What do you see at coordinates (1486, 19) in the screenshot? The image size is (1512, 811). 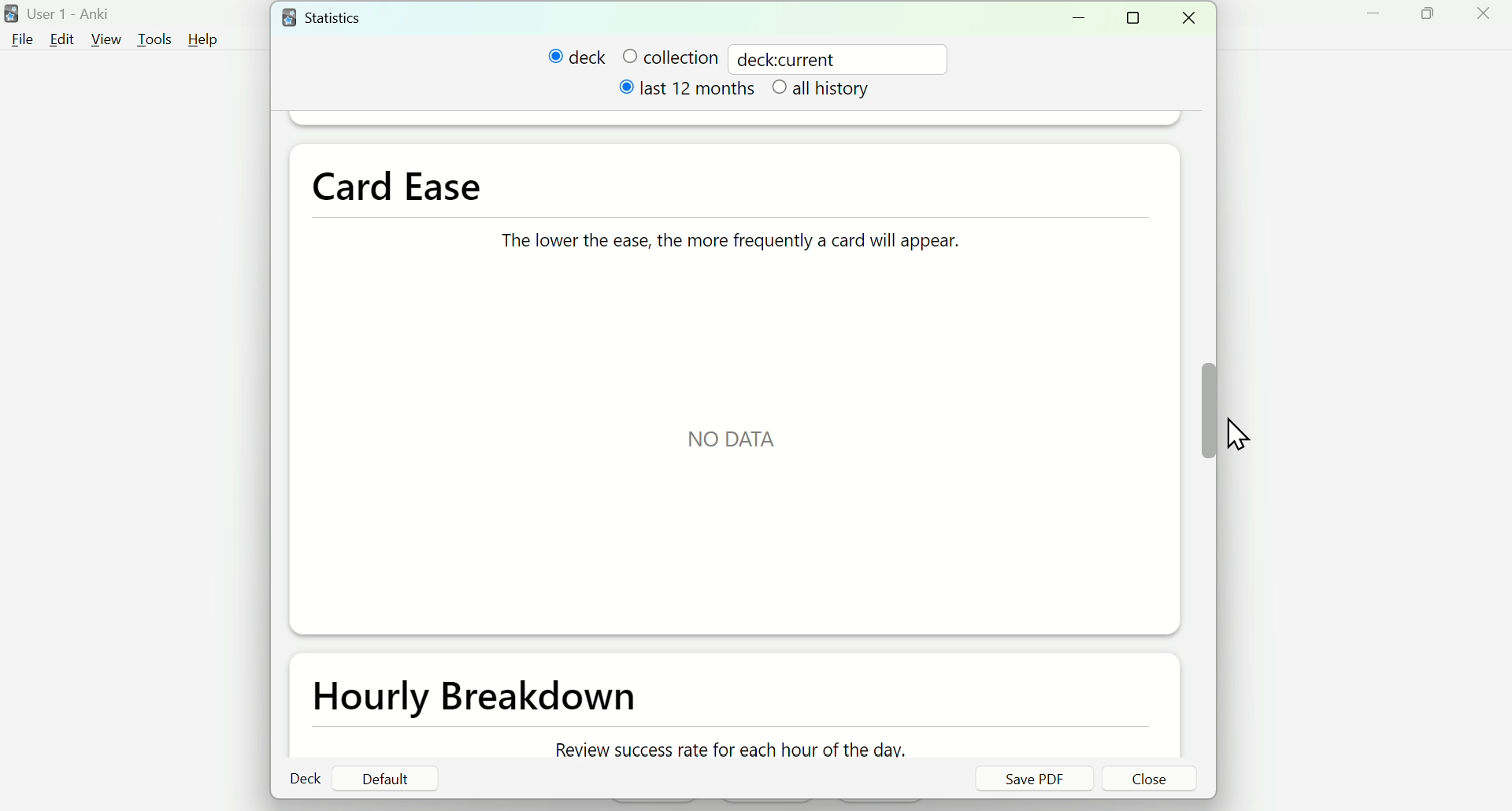 I see `Close` at bounding box center [1486, 19].